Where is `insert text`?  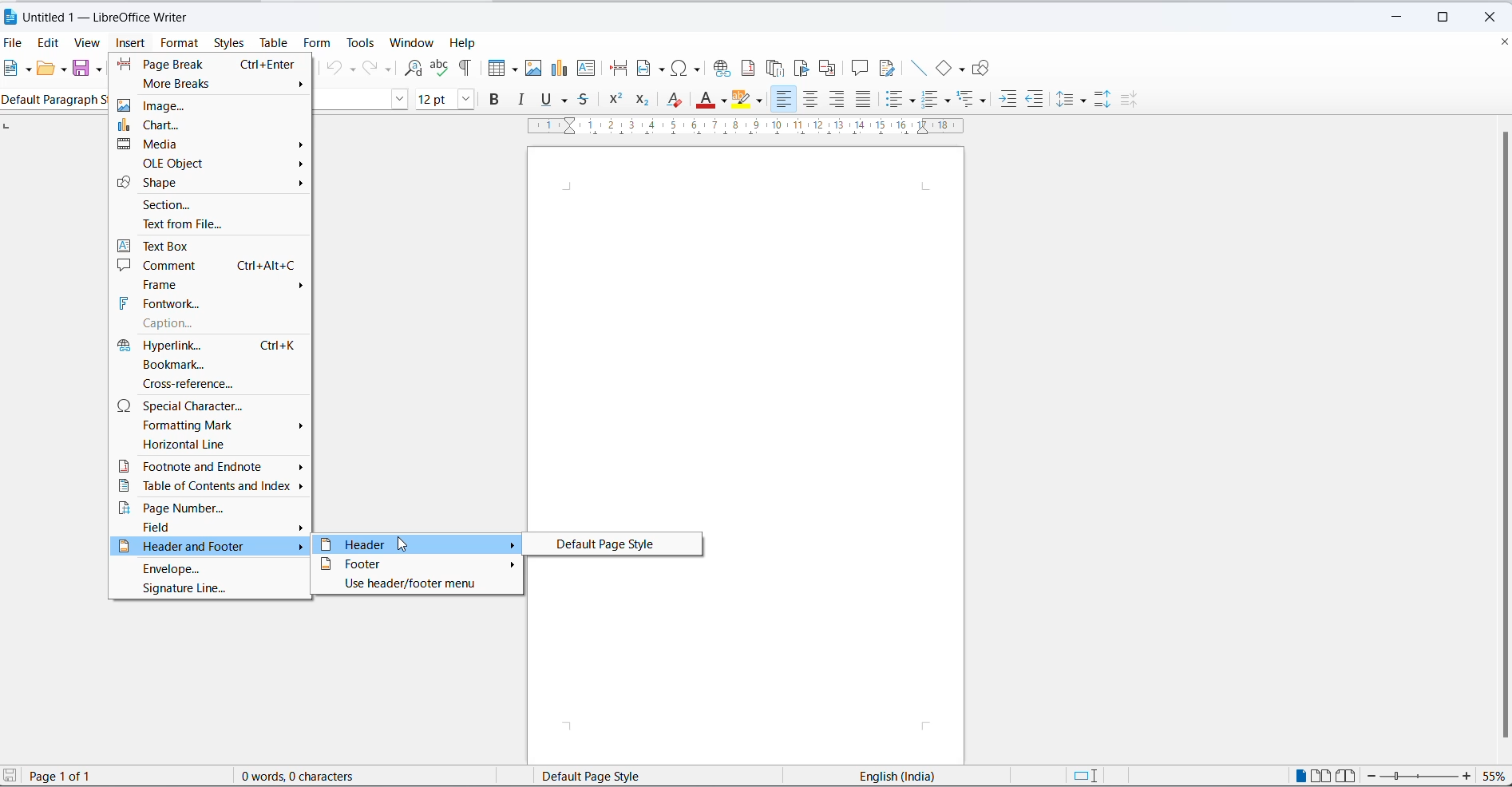
insert text is located at coordinates (594, 69).